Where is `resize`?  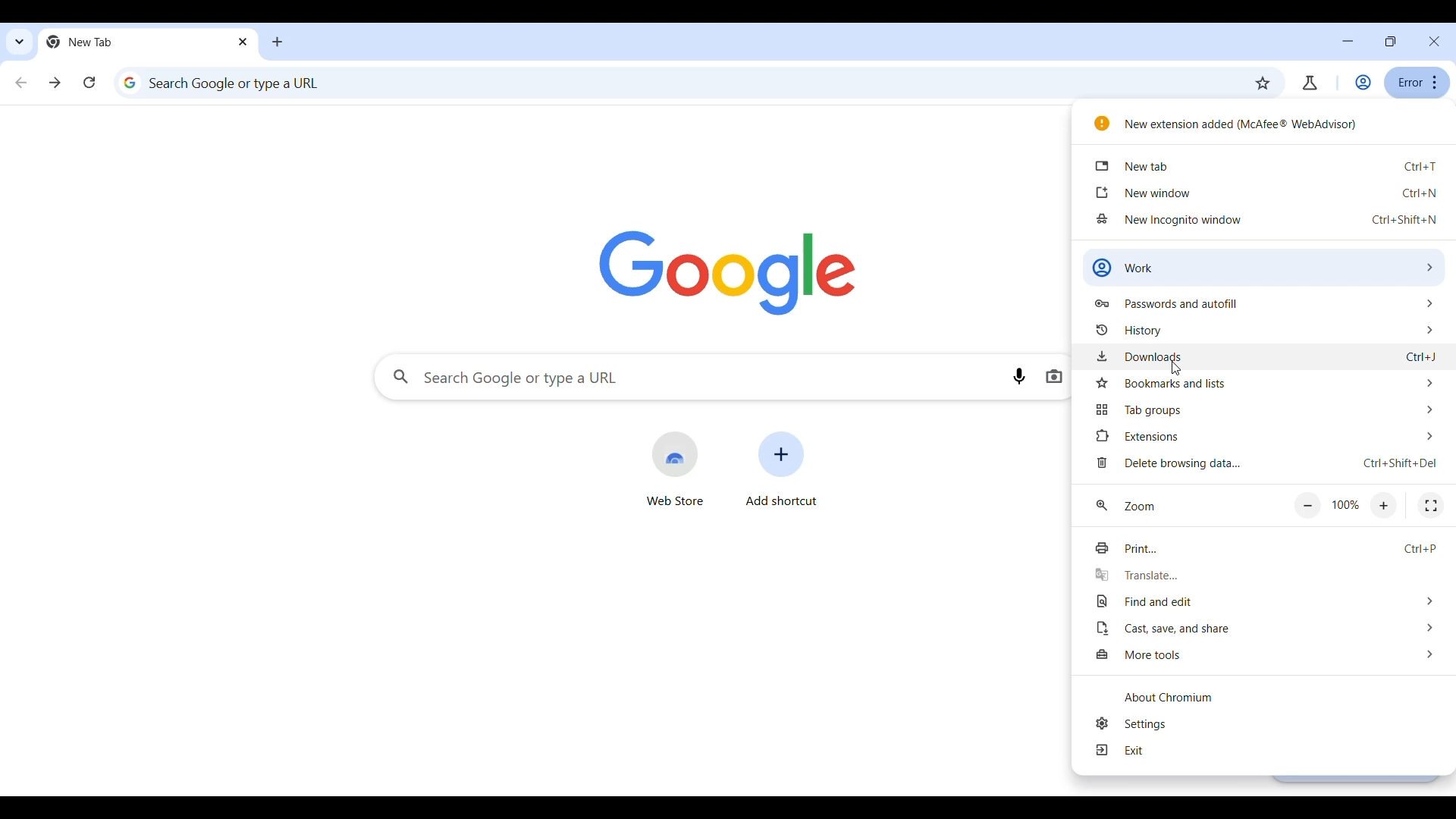
resize is located at coordinates (1391, 41).